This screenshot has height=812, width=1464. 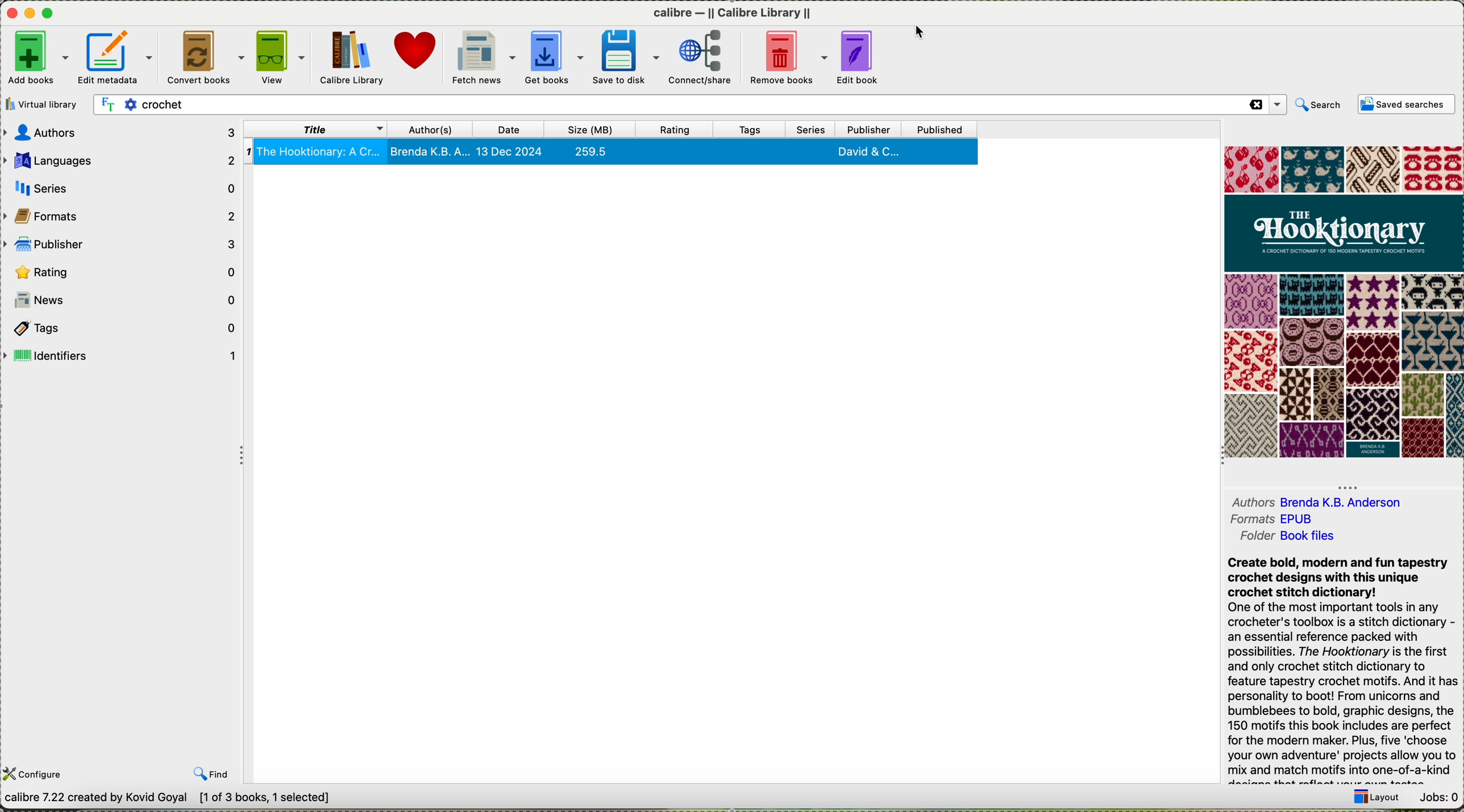 What do you see at coordinates (125, 327) in the screenshot?
I see `tags` at bounding box center [125, 327].